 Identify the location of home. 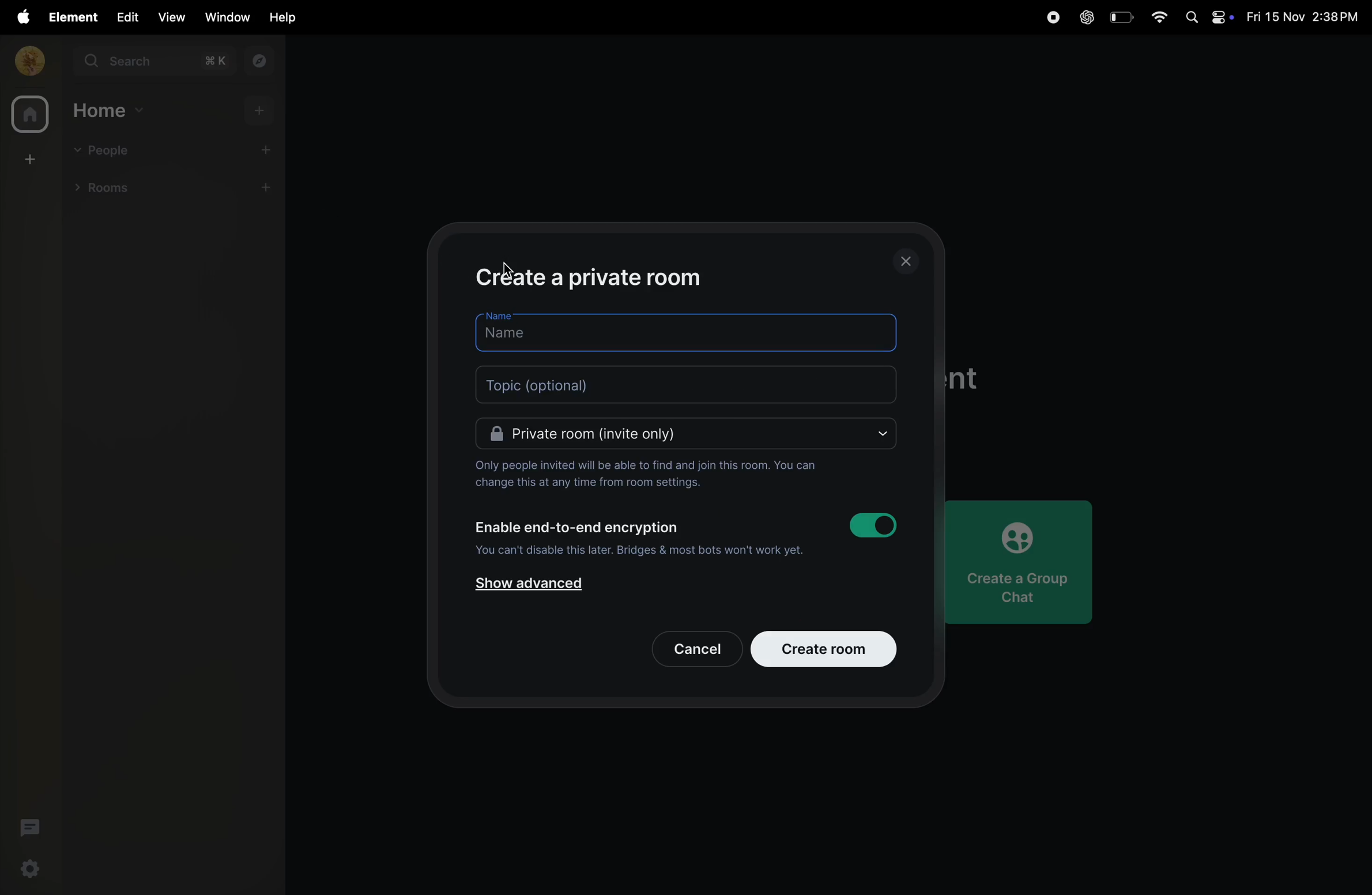
(111, 110).